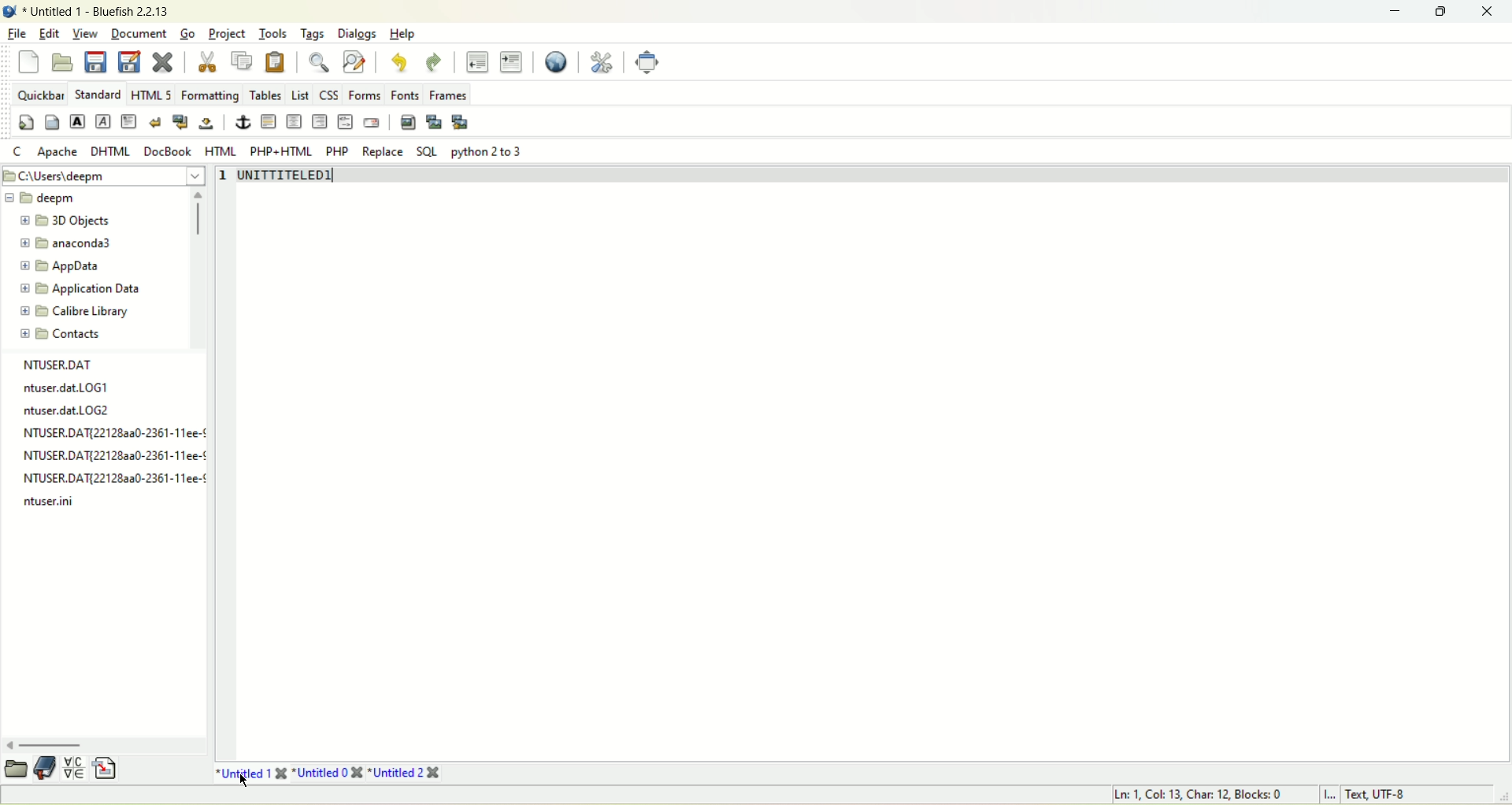 This screenshot has height=805, width=1512. Describe the element at coordinates (105, 121) in the screenshot. I see `emphasized` at that location.